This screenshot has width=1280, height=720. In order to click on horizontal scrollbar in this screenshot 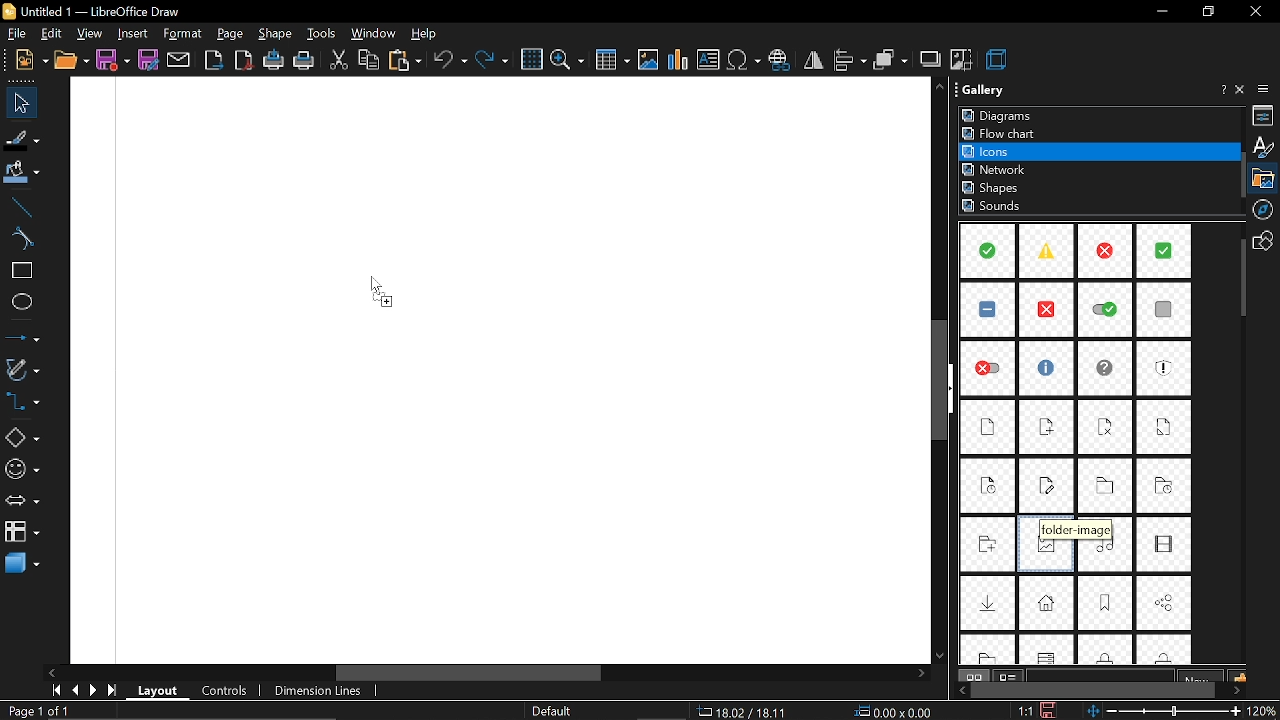, I will do `click(1094, 690)`.